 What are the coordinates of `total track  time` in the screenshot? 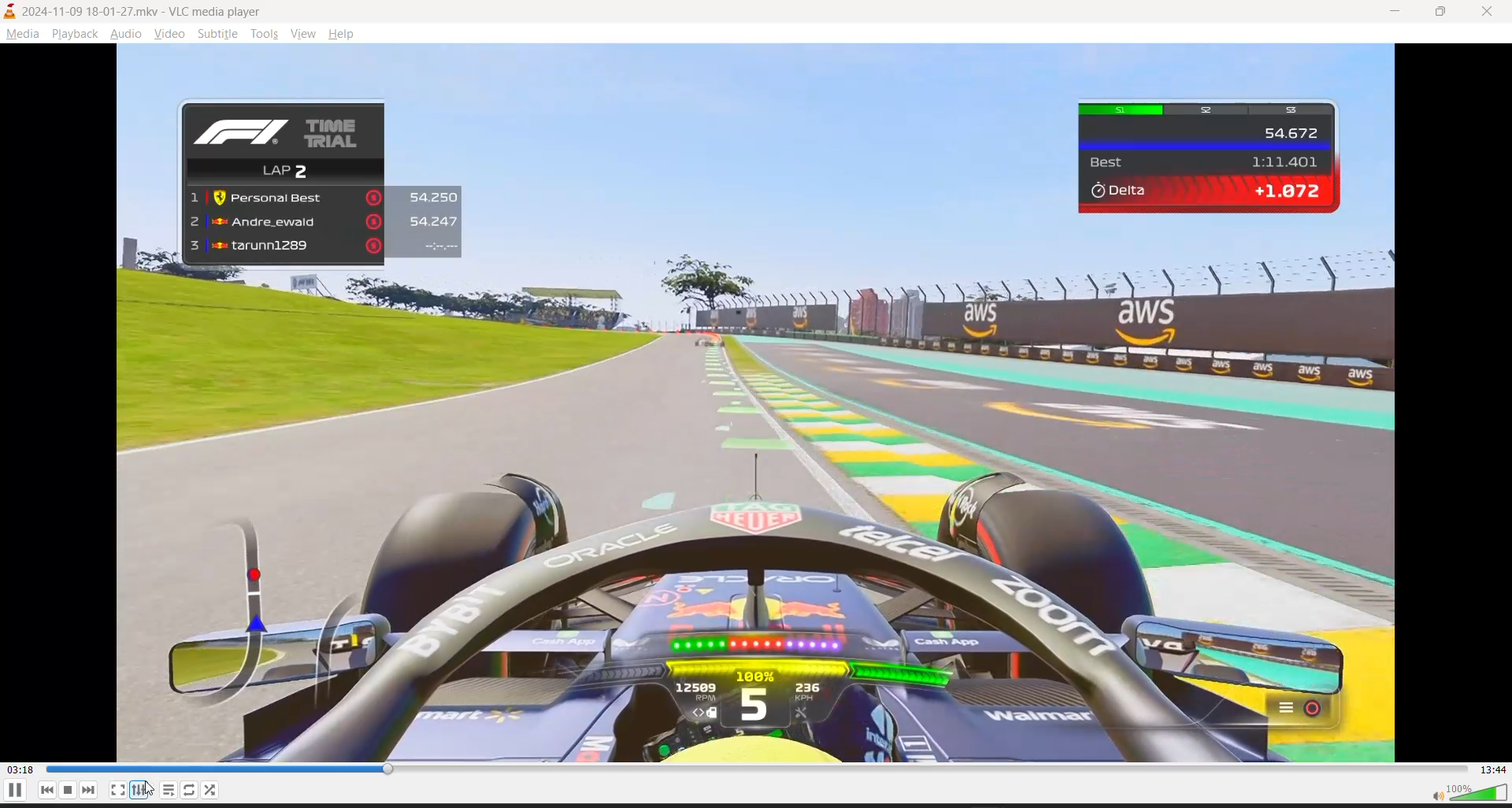 It's located at (1494, 769).